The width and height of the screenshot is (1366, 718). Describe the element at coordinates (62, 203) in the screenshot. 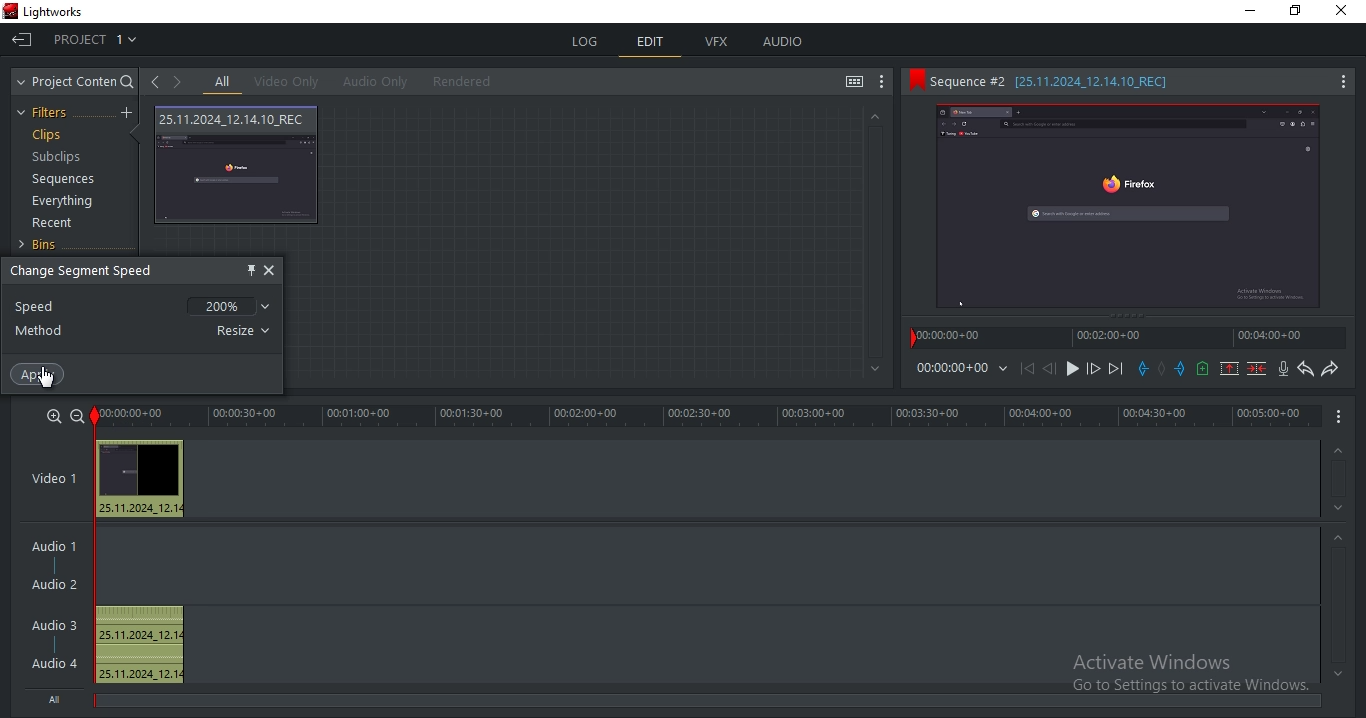

I see `everything` at that location.